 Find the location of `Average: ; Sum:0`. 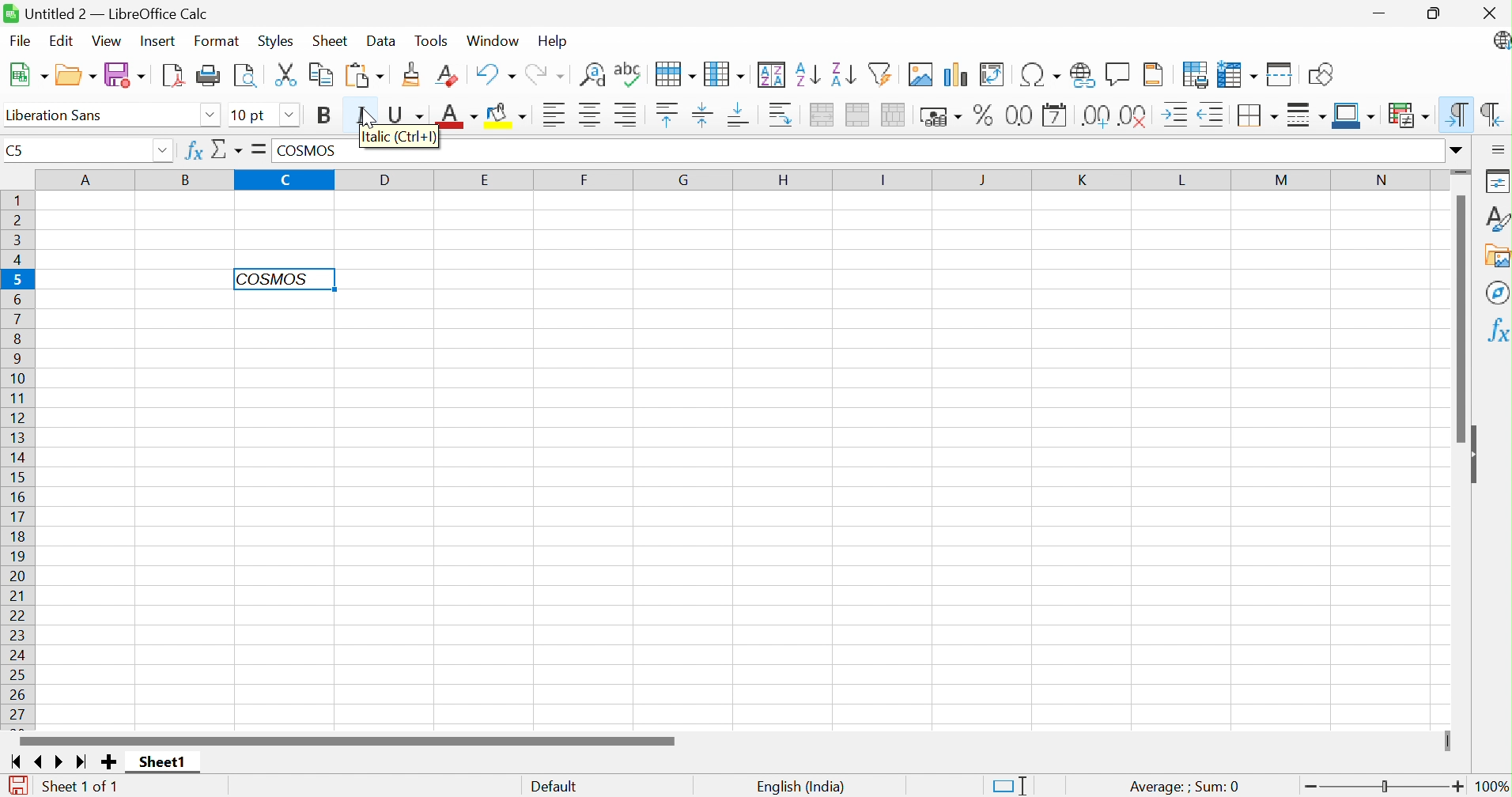

Average: ; Sum:0 is located at coordinates (1182, 788).